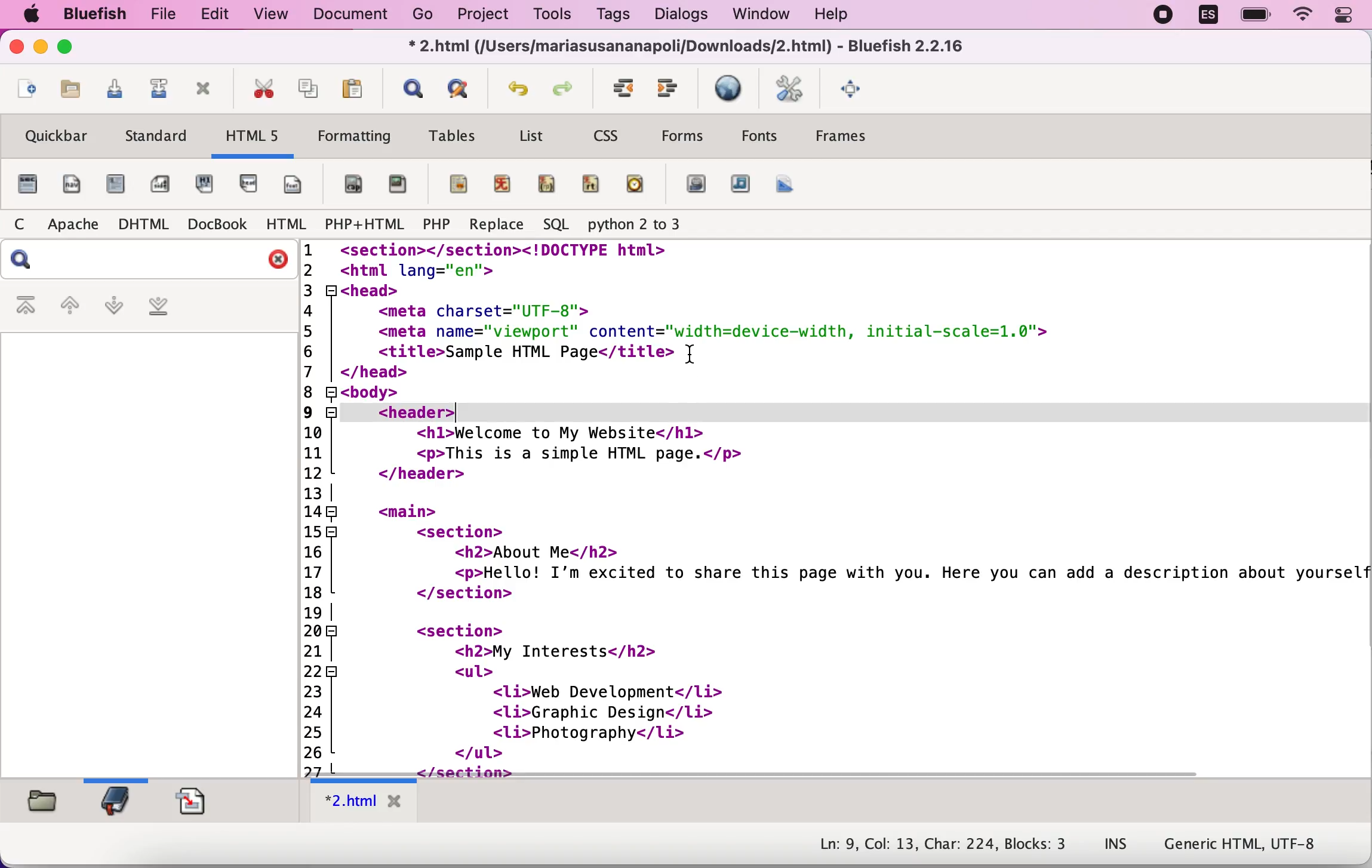 This screenshot has width=1372, height=868. Describe the element at coordinates (1302, 15) in the screenshot. I see `wifi` at that location.